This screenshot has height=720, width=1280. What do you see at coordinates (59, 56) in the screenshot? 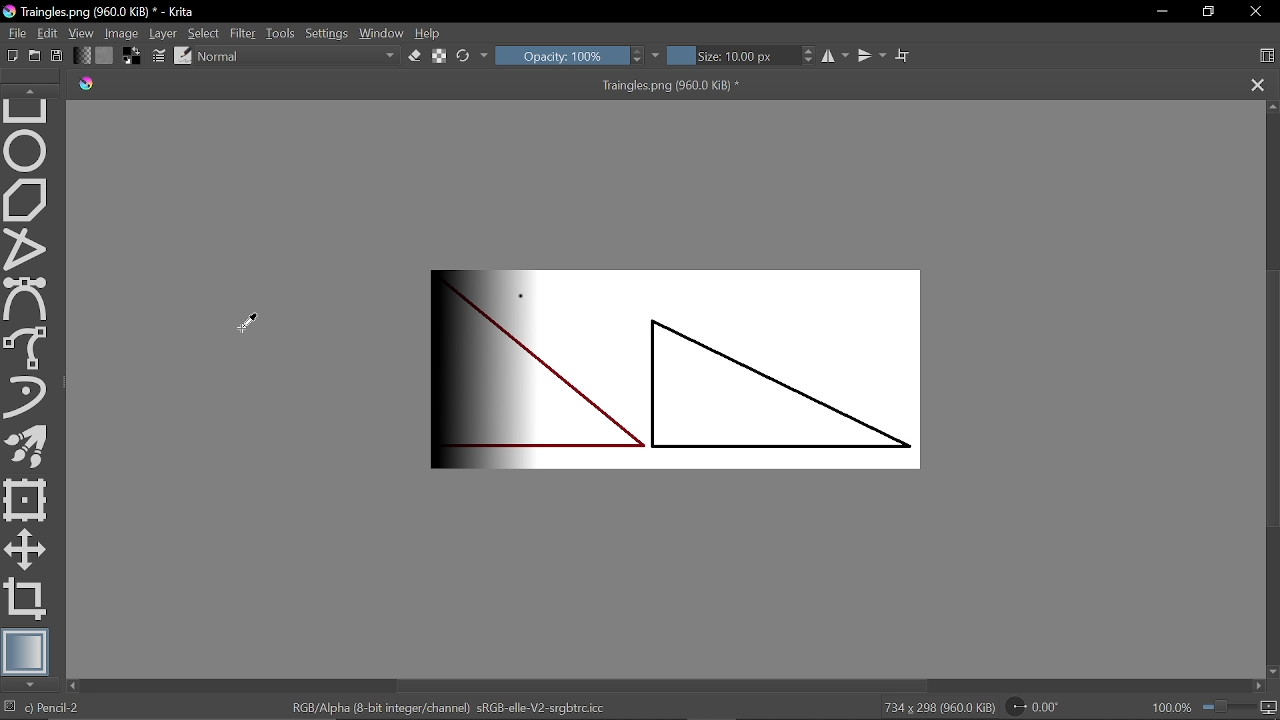
I see `Save` at bounding box center [59, 56].